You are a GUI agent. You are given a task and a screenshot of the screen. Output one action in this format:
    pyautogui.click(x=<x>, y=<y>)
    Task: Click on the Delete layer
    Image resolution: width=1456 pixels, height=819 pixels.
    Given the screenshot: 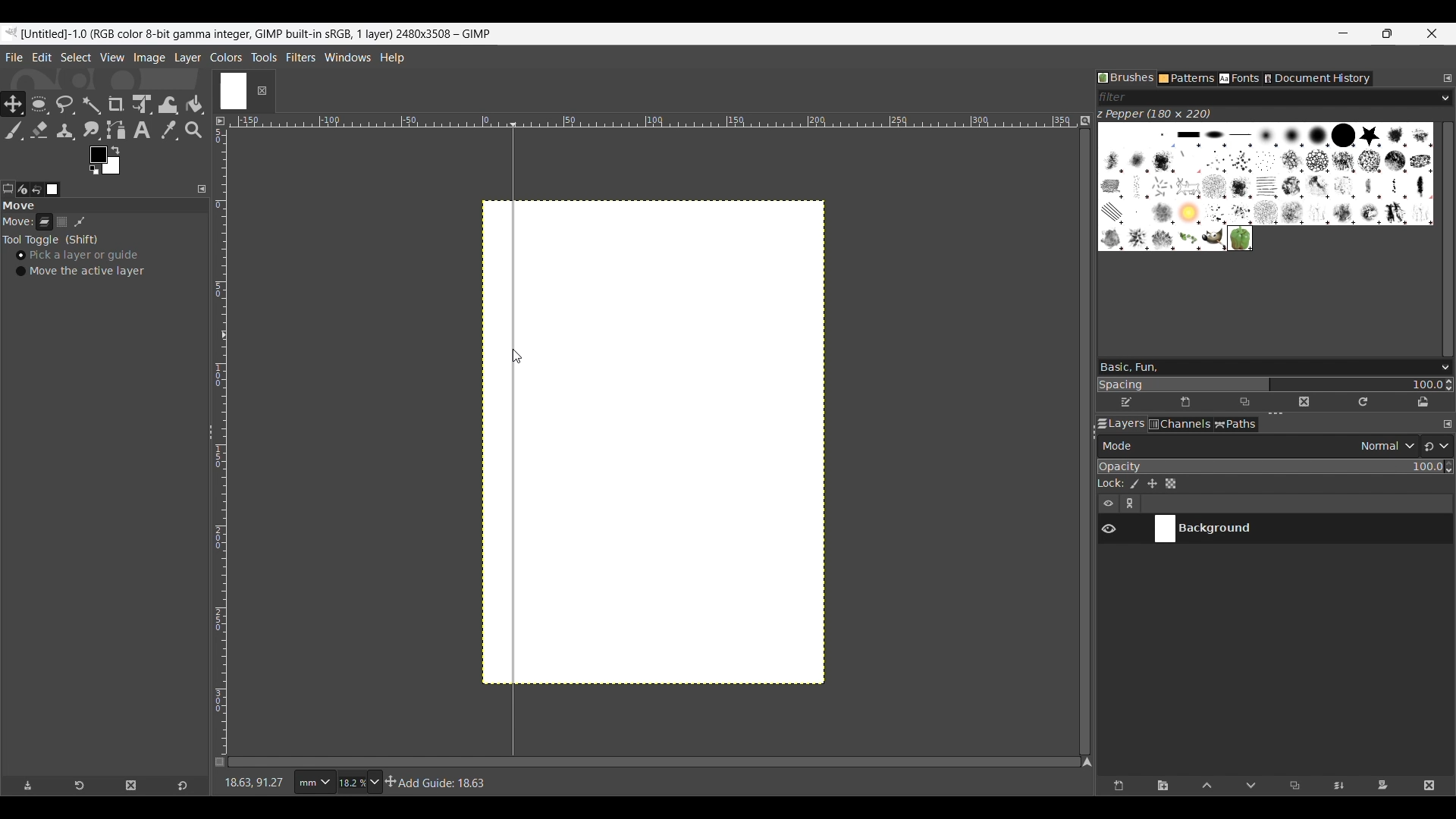 What is the action you would take?
    pyautogui.click(x=1429, y=786)
    